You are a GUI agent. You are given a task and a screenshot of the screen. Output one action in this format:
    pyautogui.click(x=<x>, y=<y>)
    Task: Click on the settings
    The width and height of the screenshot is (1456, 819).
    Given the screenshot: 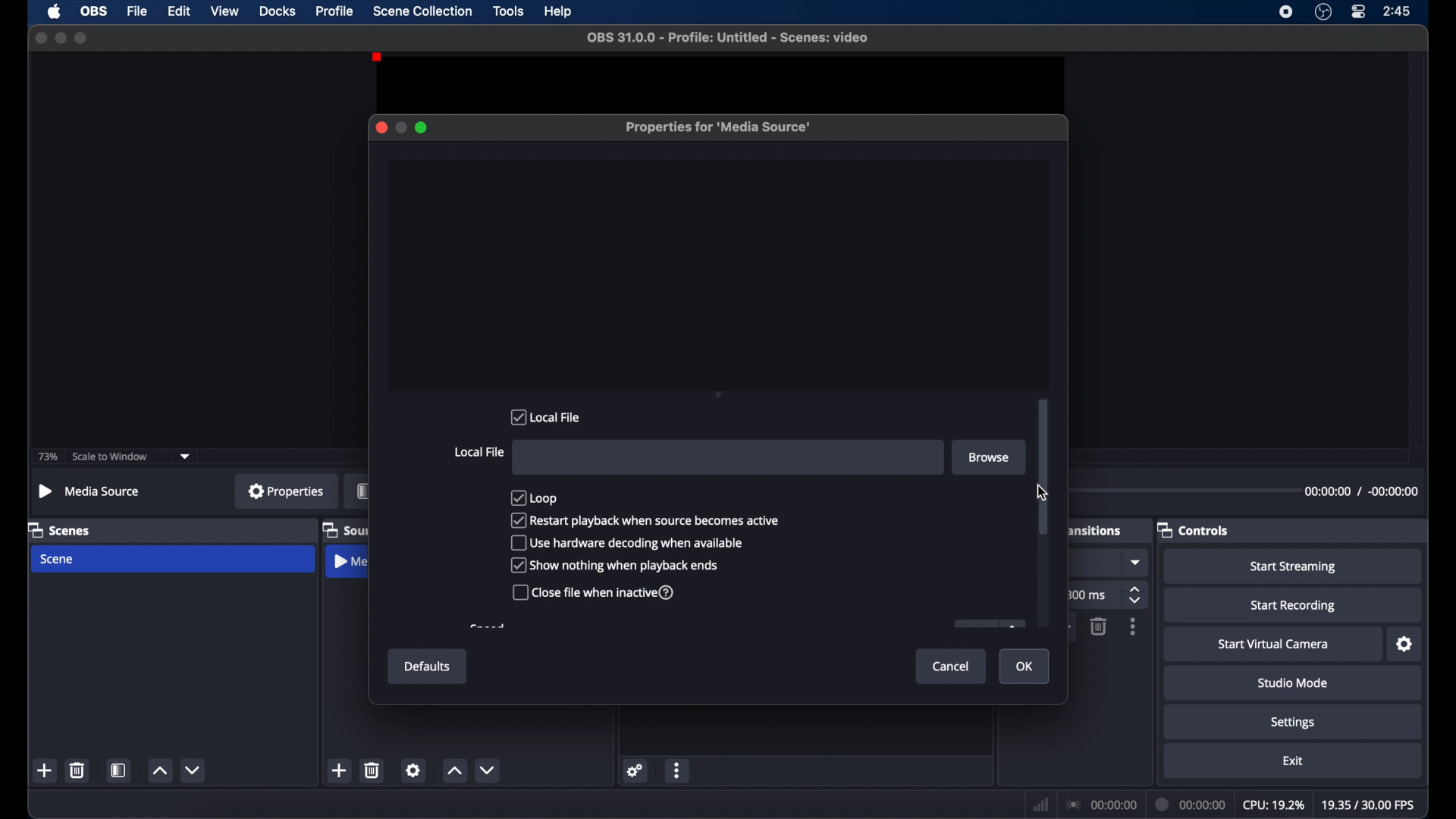 What is the action you would take?
    pyautogui.click(x=1405, y=645)
    